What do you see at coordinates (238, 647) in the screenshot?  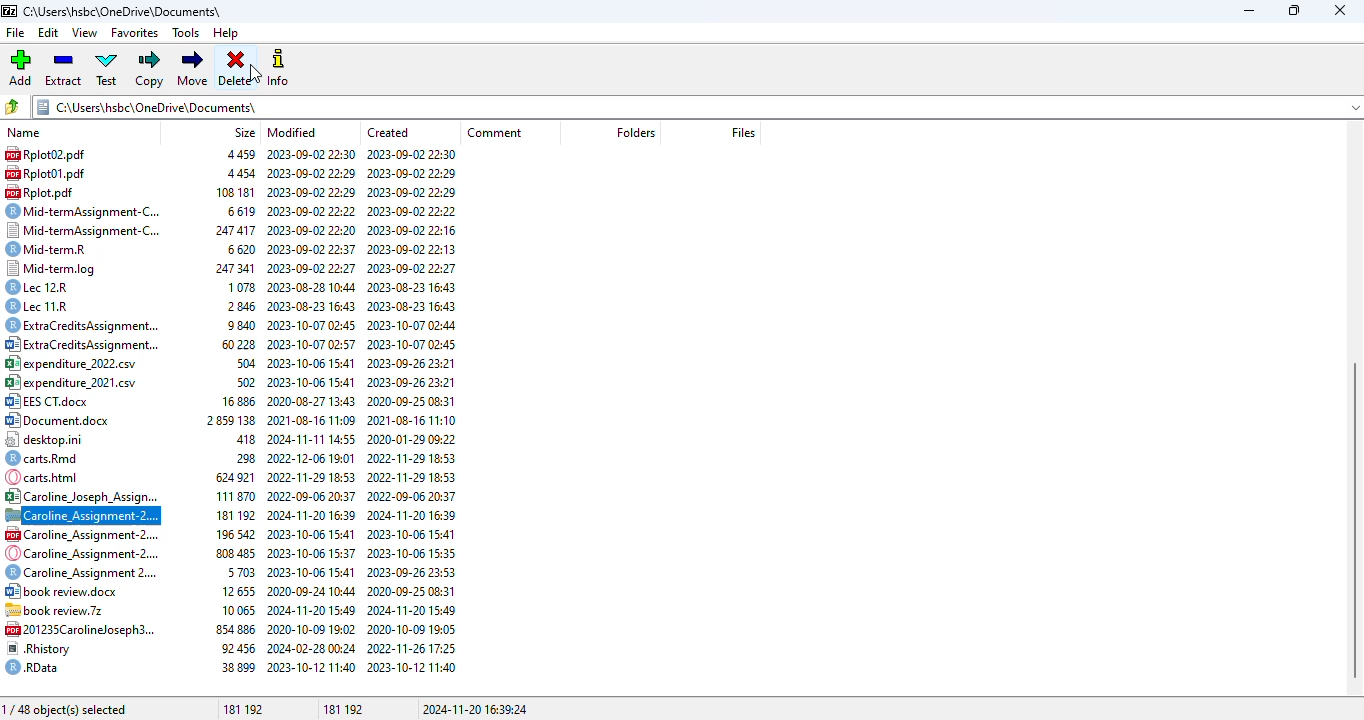 I see `92 456` at bounding box center [238, 647].